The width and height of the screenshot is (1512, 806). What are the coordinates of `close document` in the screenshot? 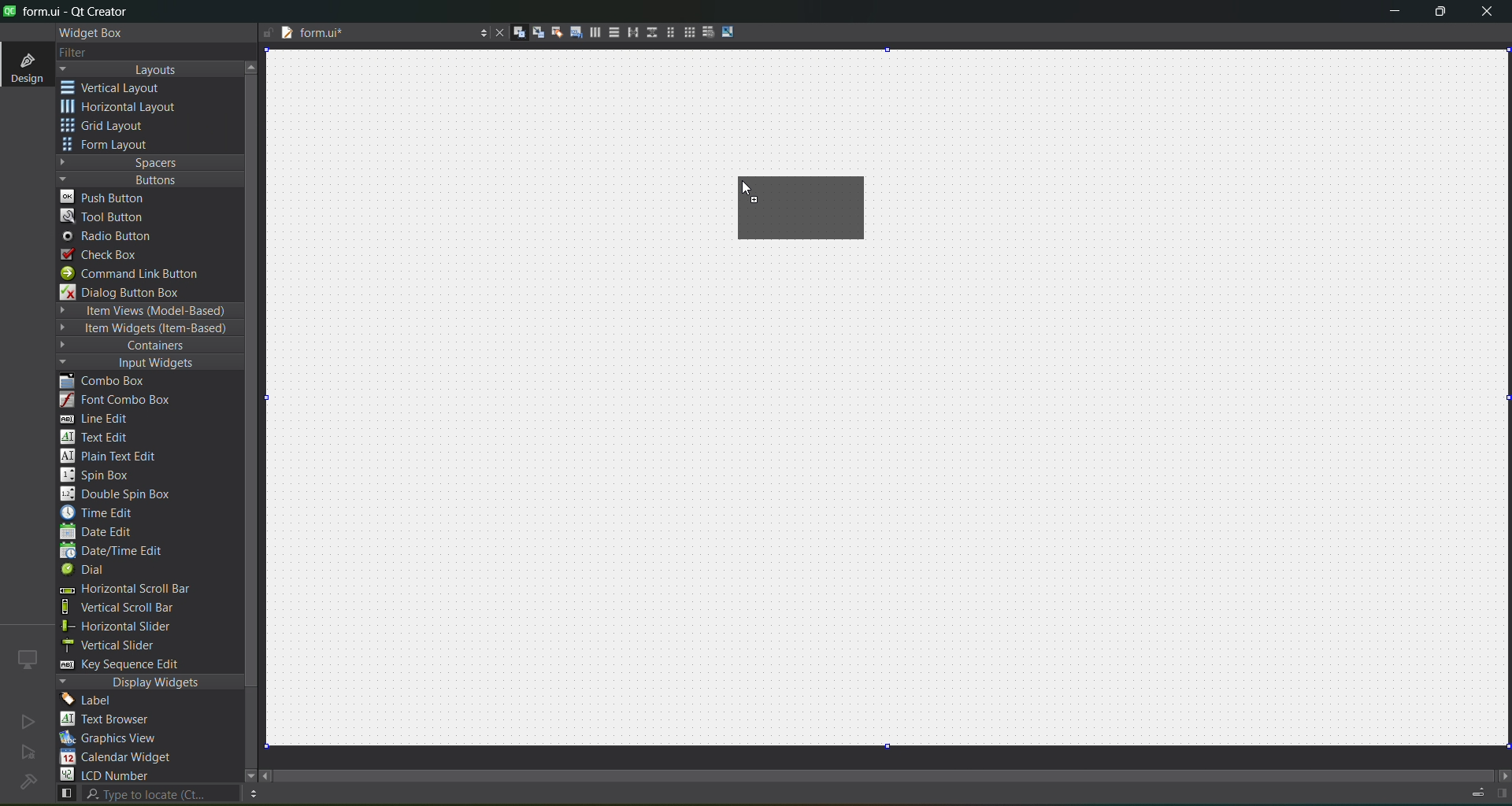 It's located at (496, 34).